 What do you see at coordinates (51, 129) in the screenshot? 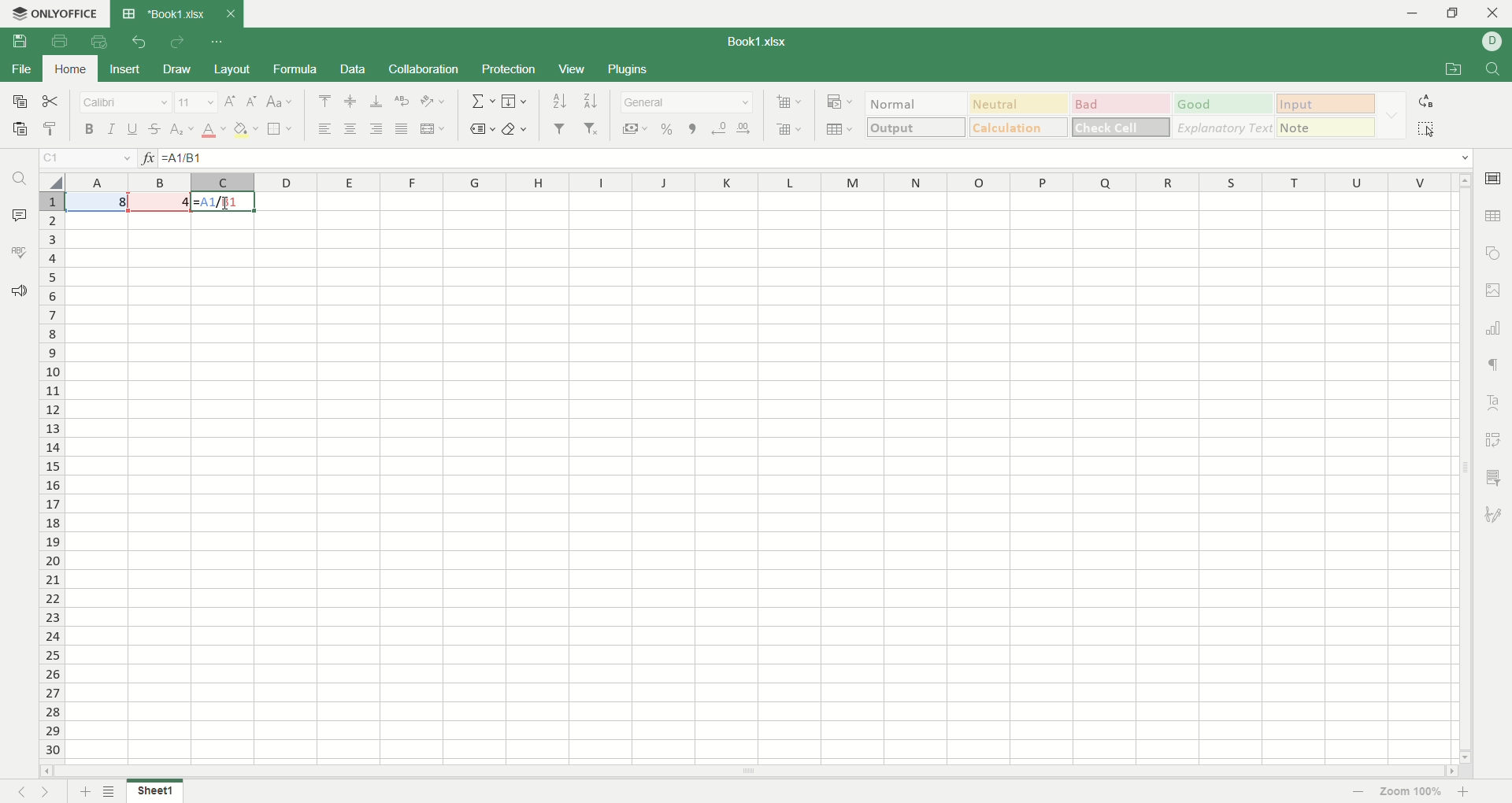
I see `paste` at bounding box center [51, 129].